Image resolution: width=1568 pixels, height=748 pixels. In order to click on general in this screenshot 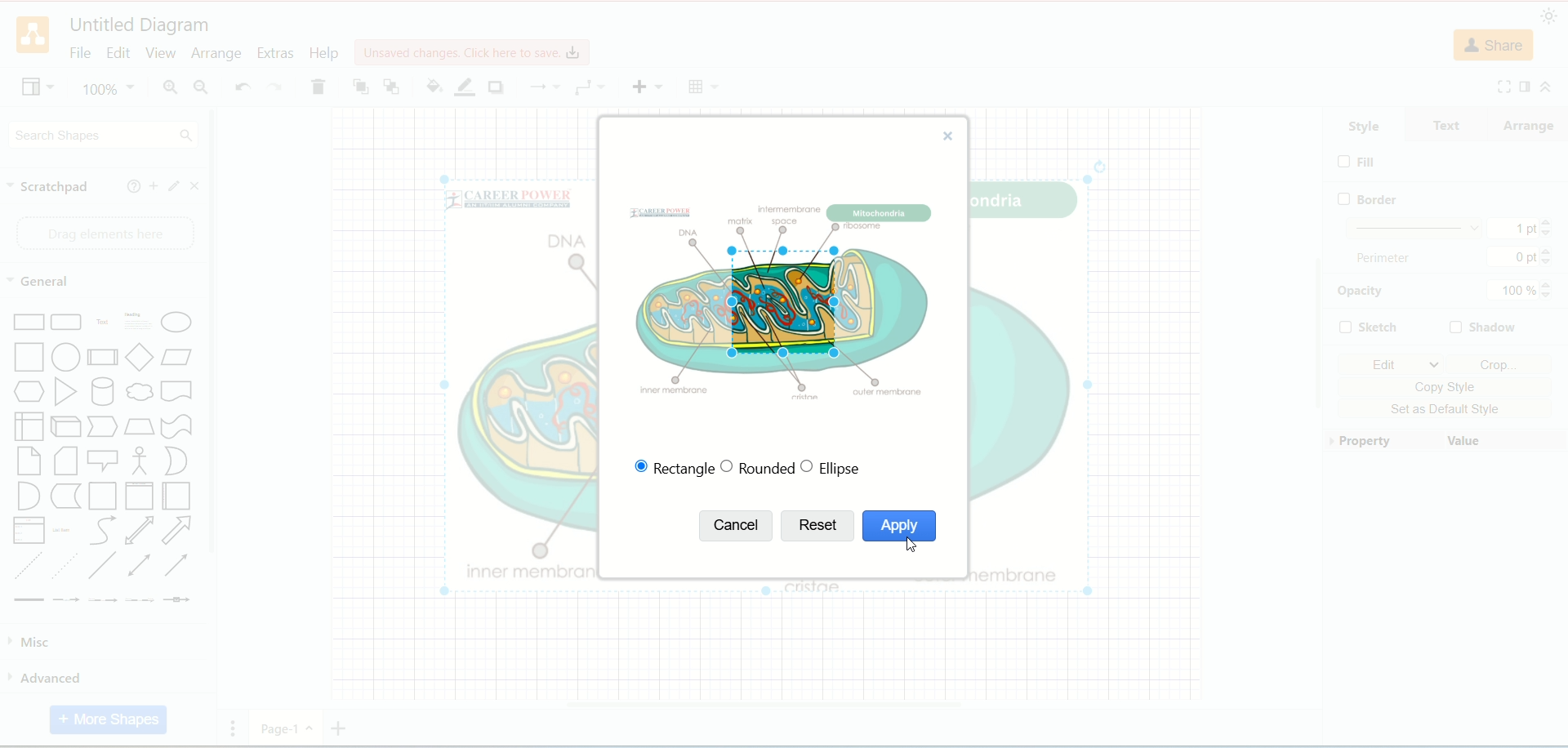, I will do `click(42, 283)`.